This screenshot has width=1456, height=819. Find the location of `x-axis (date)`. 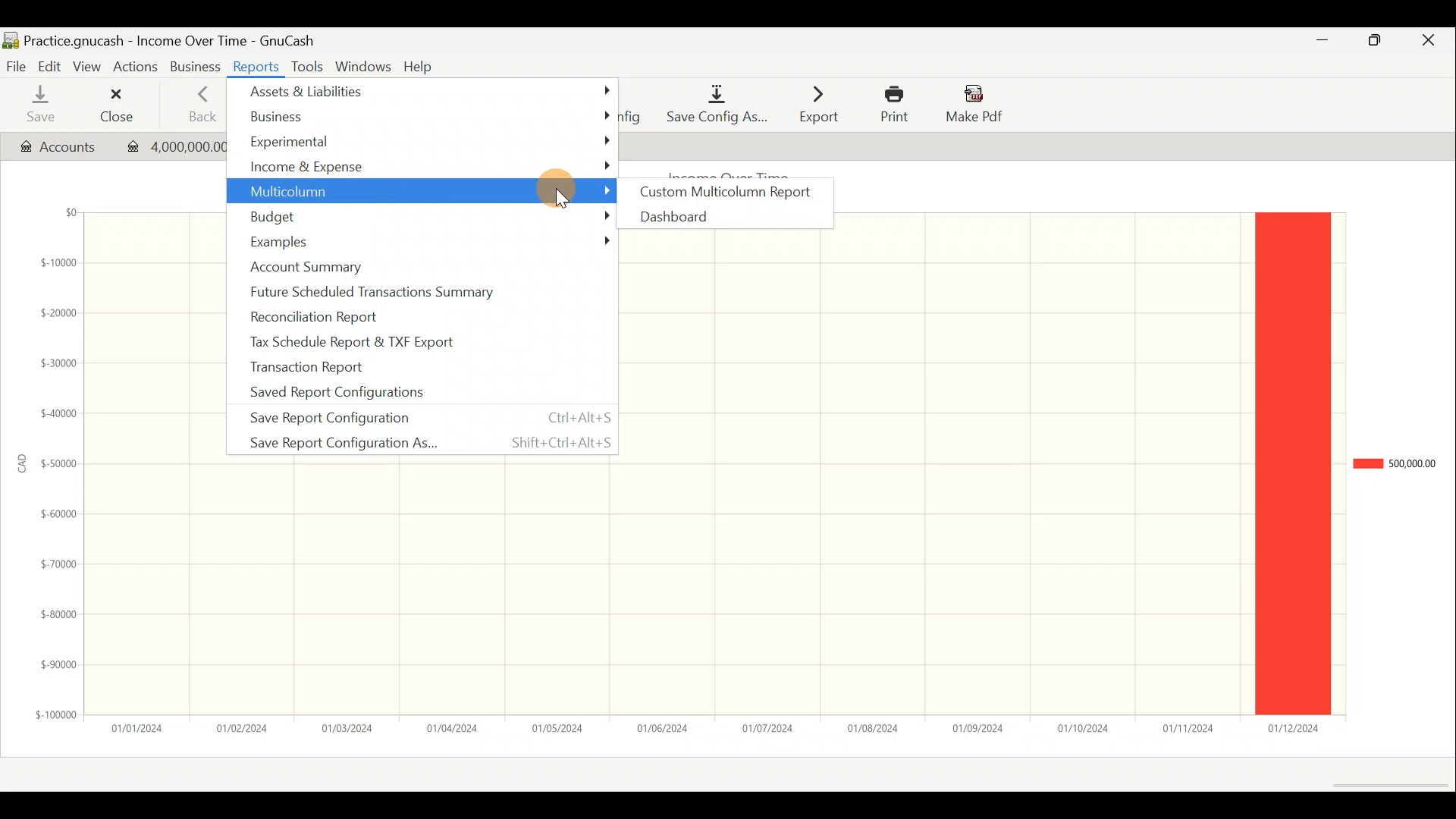

x-axis (date) is located at coordinates (713, 736).